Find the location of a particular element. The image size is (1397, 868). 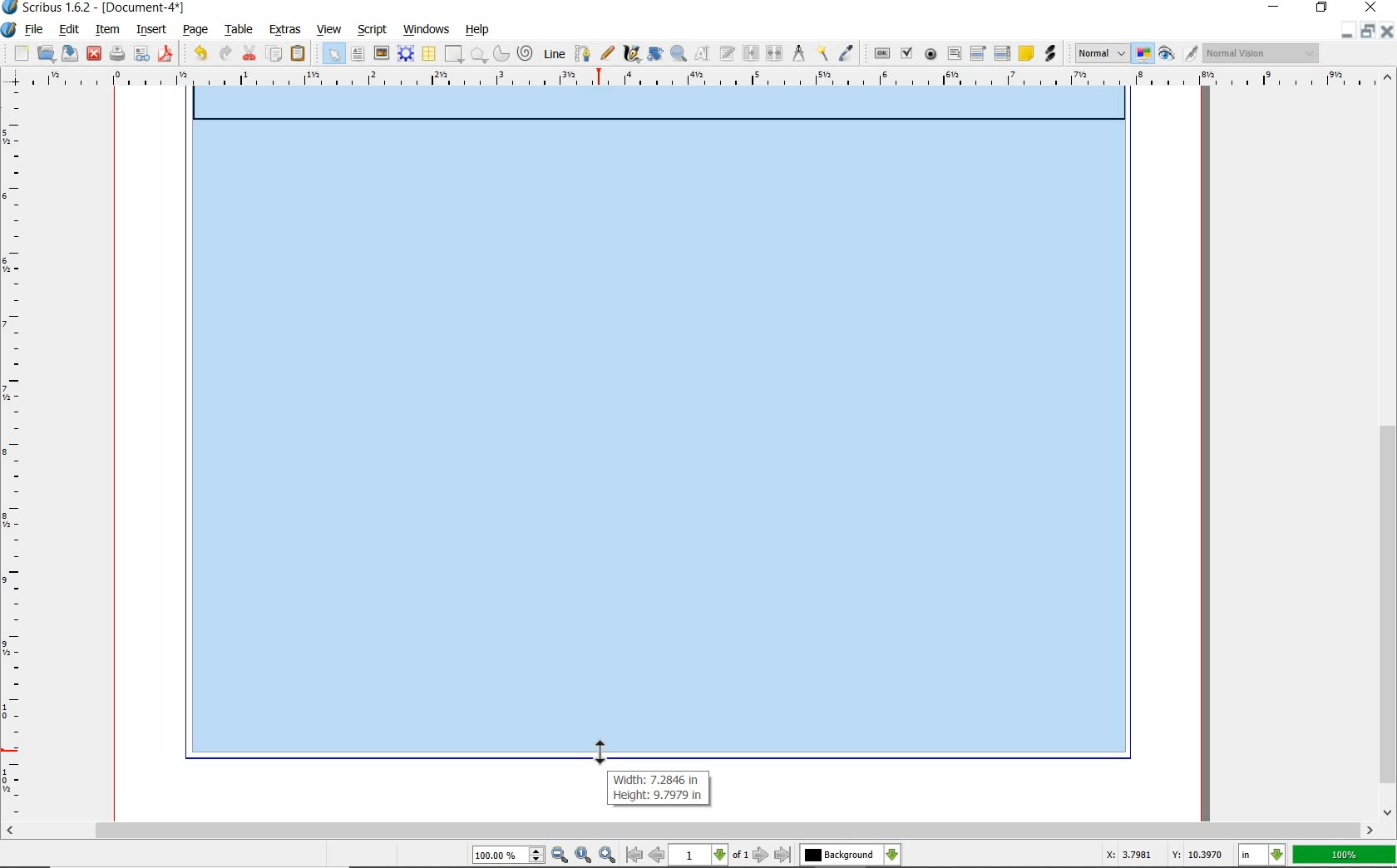

cut is located at coordinates (250, 52).